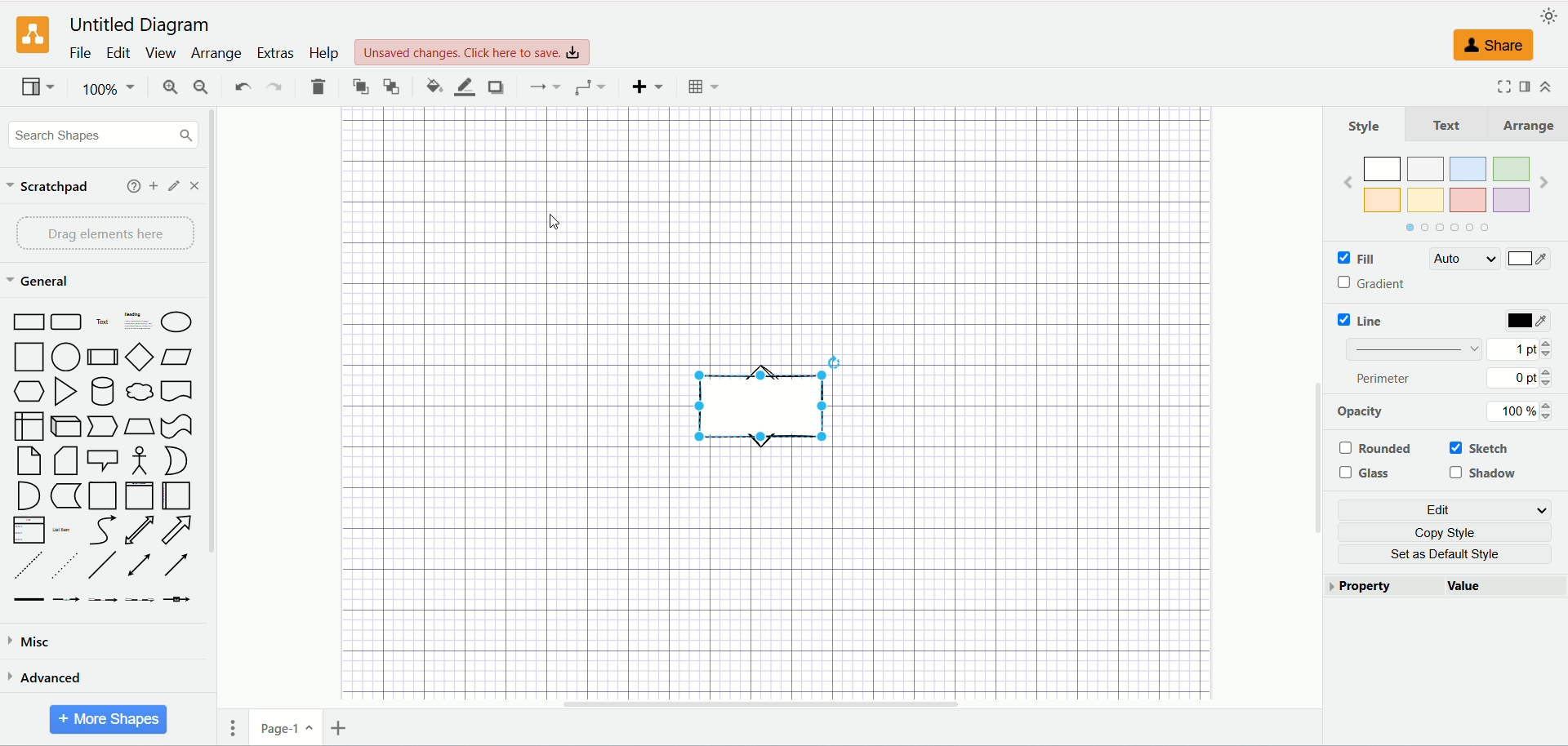 This screenshot has height=746, width=1568. What do you see at coordinates (275, 52) in the screenshot?
I see `extras` at bounding box center [275, 52].